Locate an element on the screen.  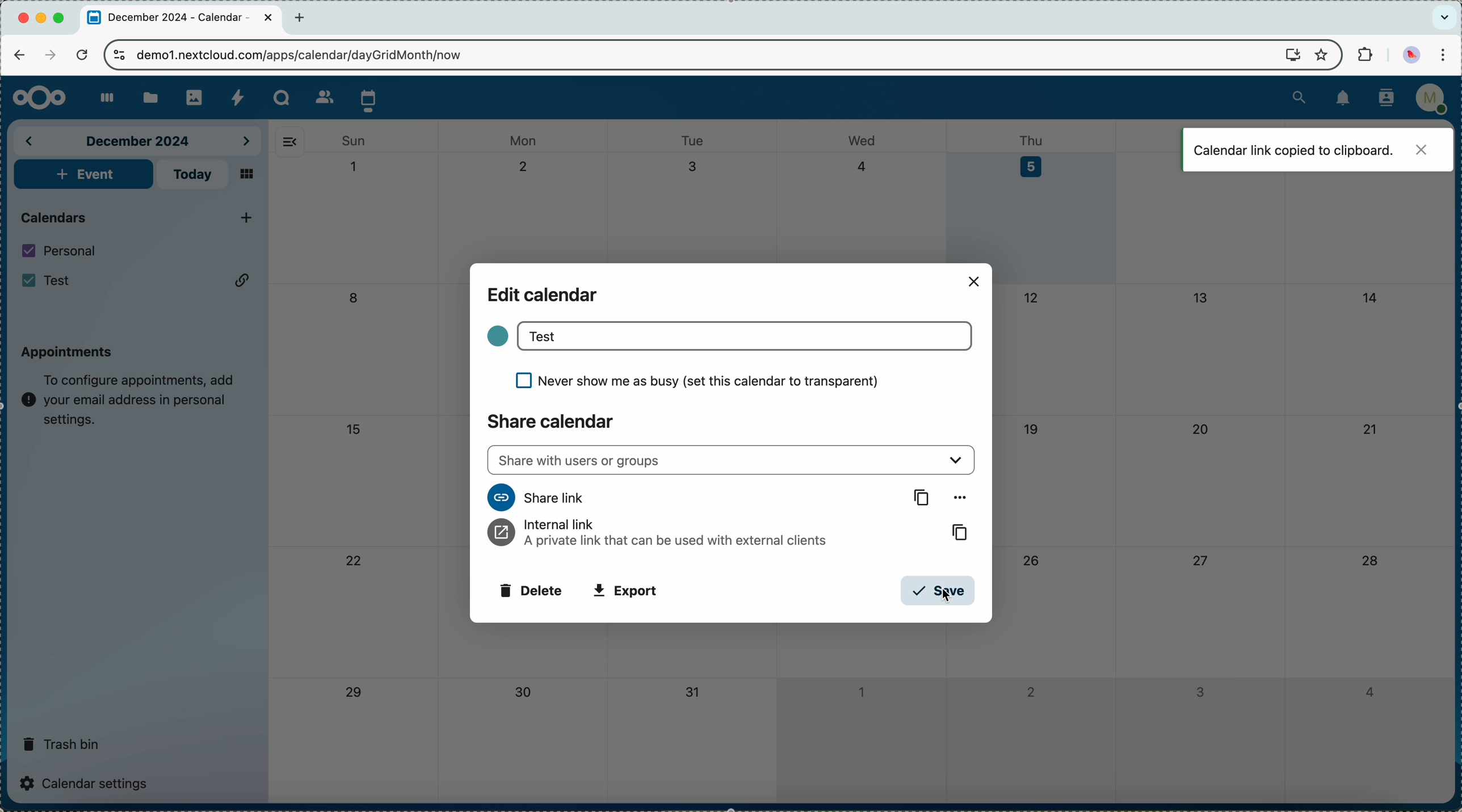
Test is located at coordinates (746, 336).